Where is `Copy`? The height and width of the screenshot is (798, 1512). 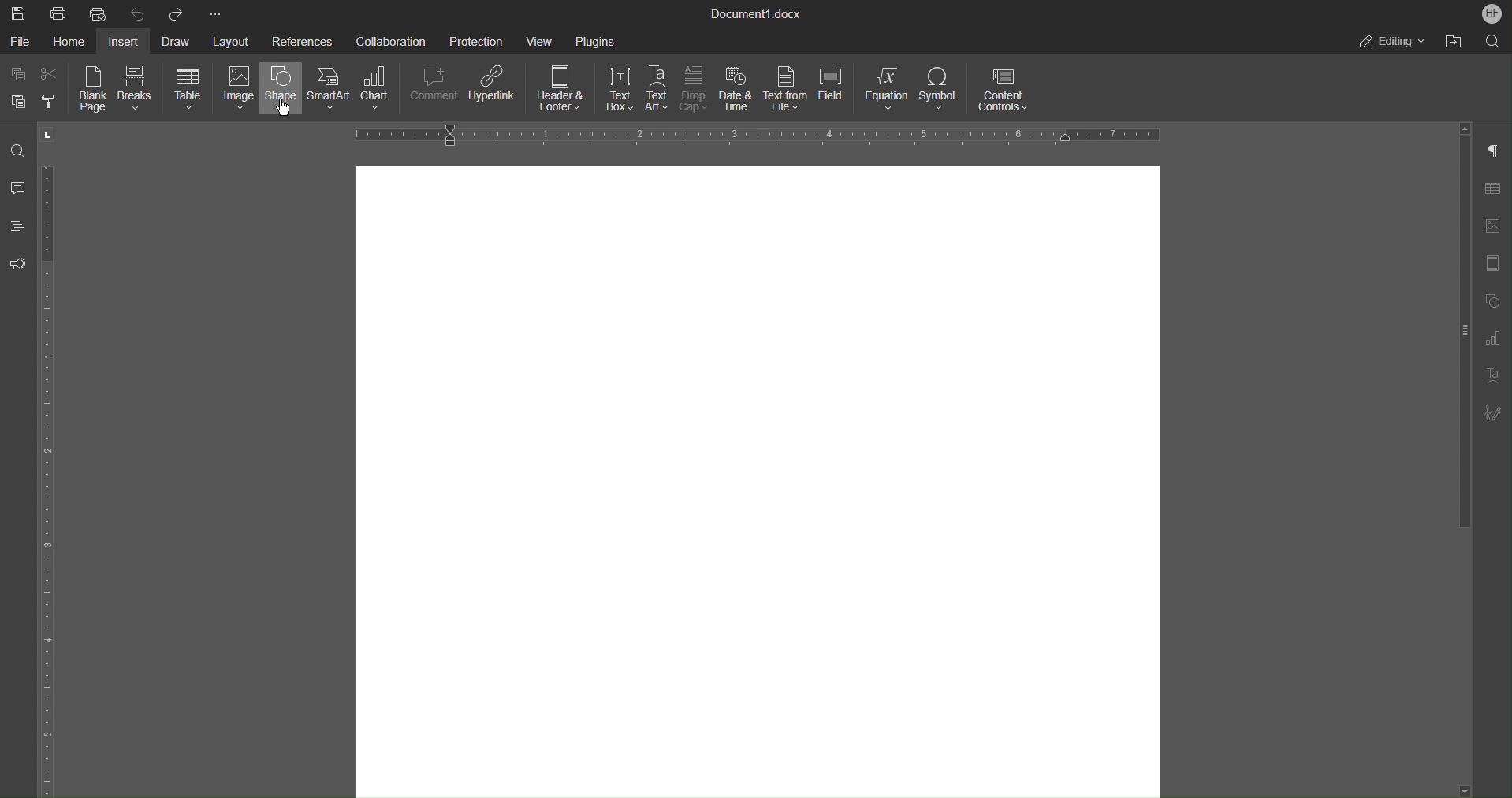
Copy is located at coordinates (17, 73).